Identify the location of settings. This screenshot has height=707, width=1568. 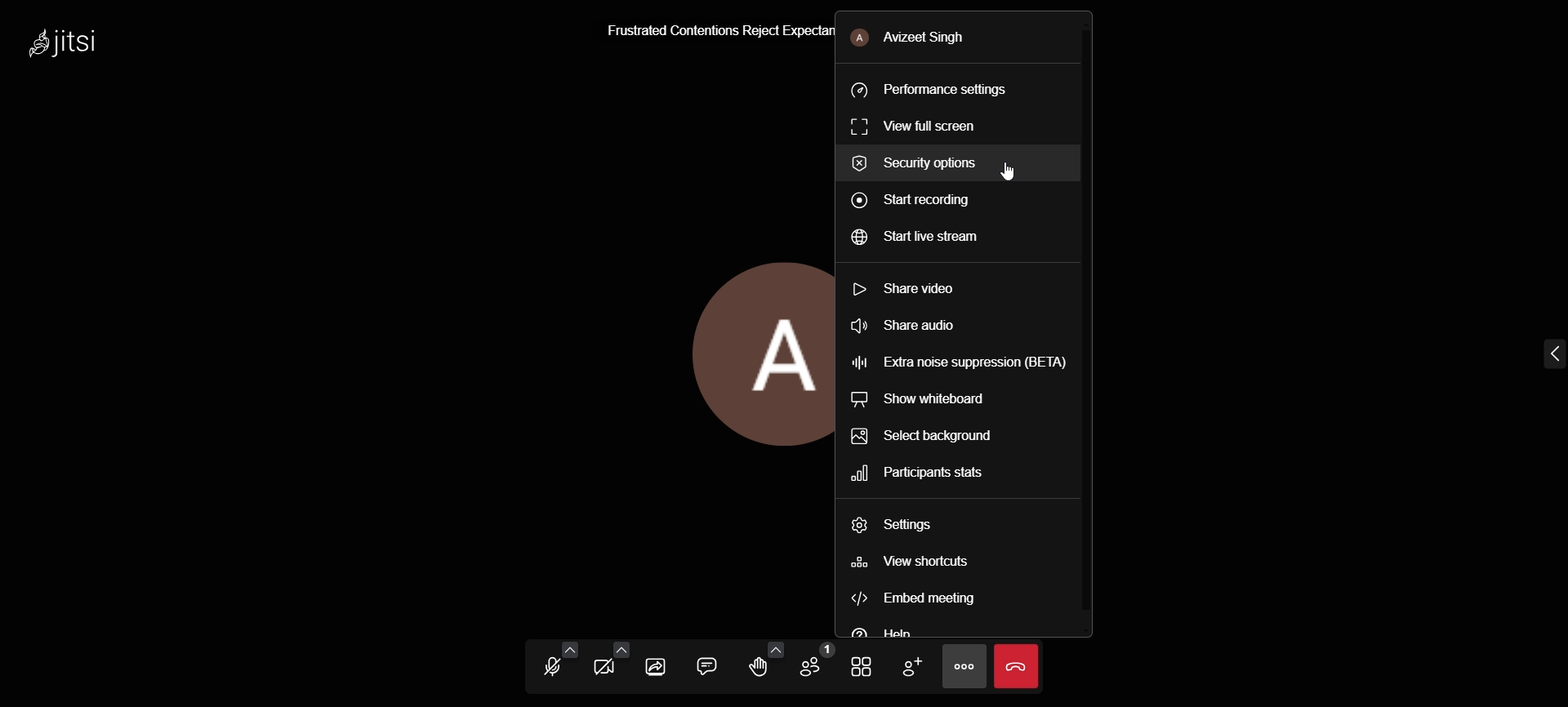
(925, 525).